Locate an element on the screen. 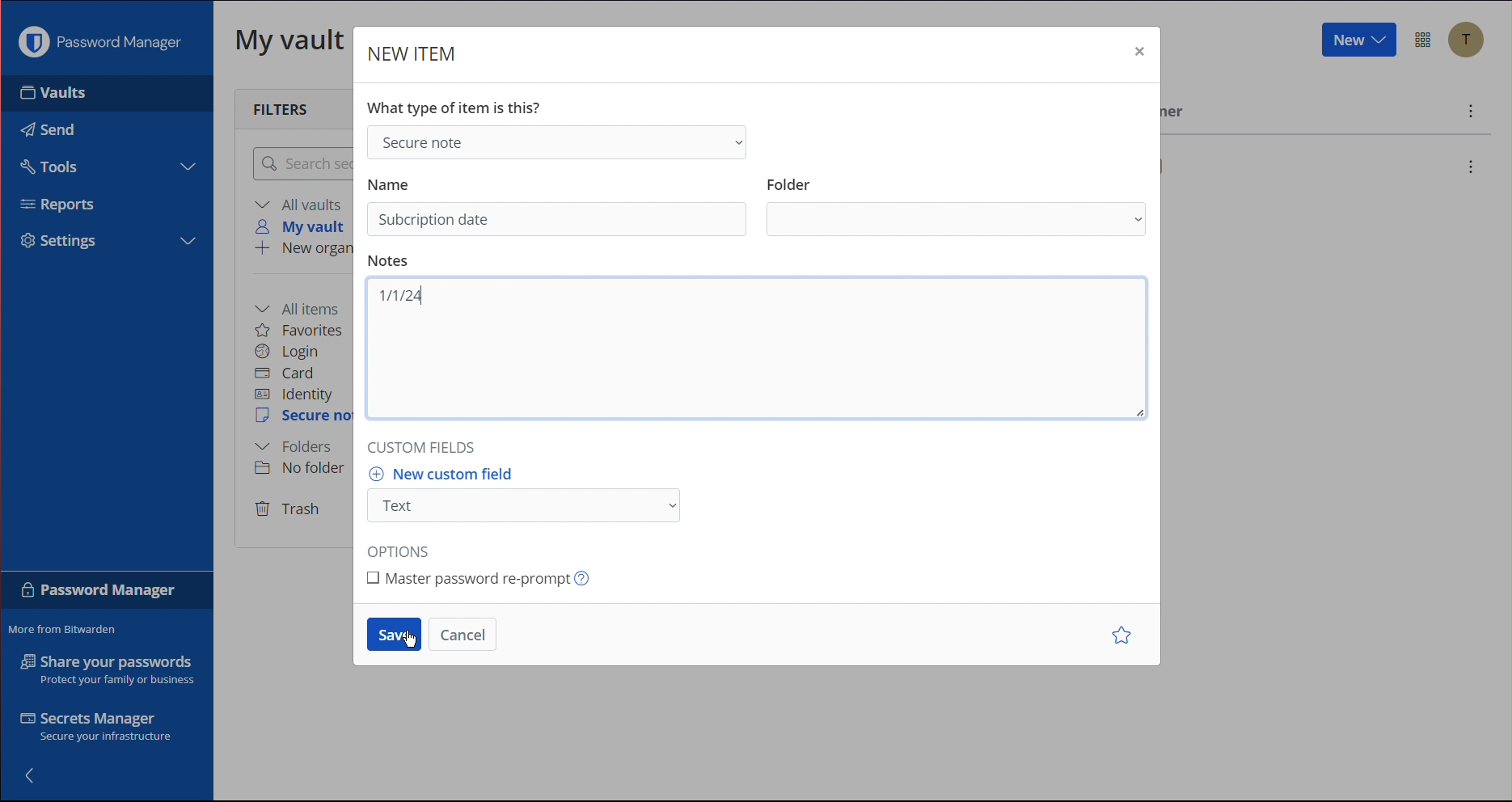  Save is located at coordinates (394, 635).